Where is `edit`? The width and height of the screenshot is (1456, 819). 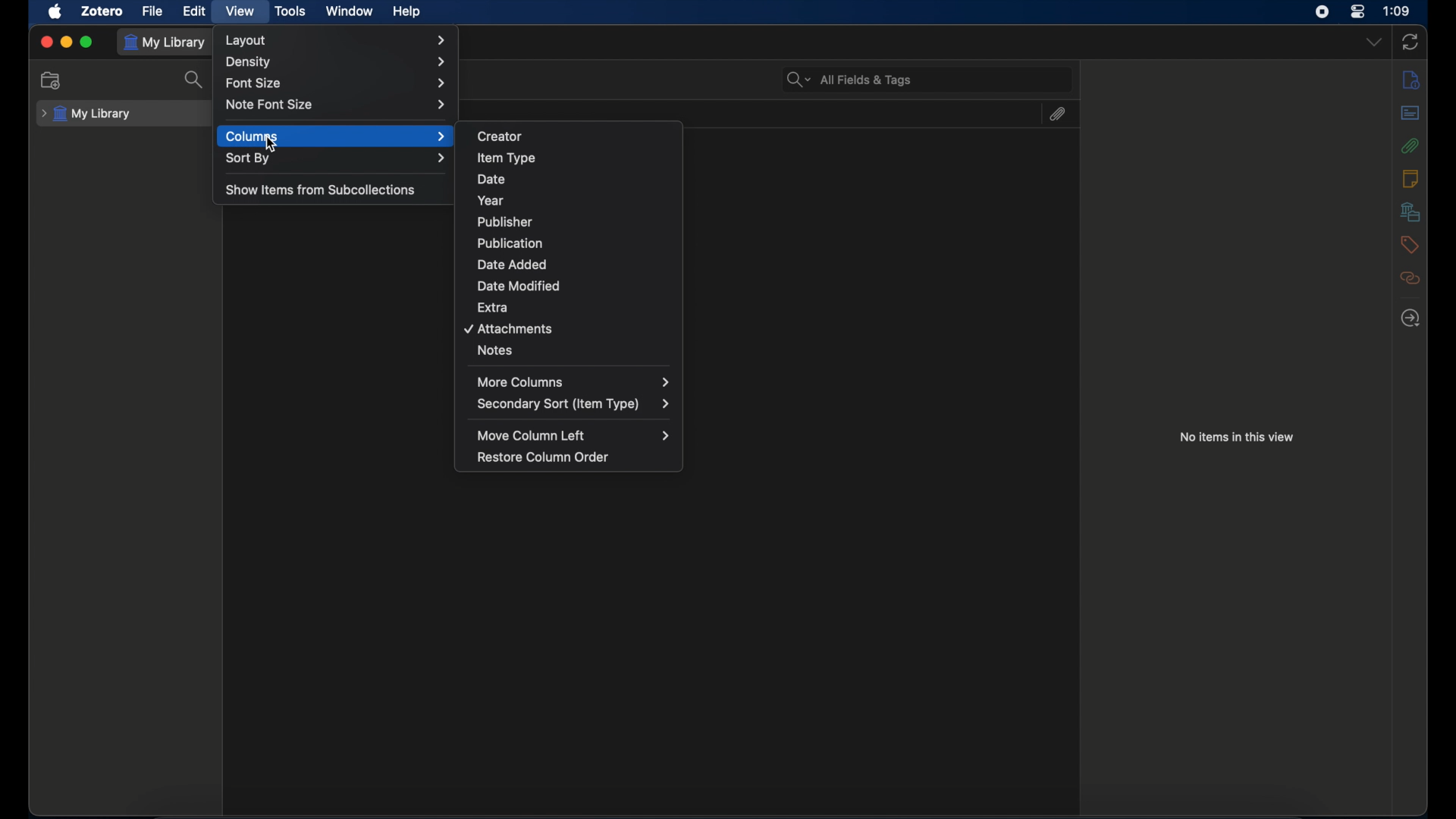
edit is located at coordinates (196, 11).